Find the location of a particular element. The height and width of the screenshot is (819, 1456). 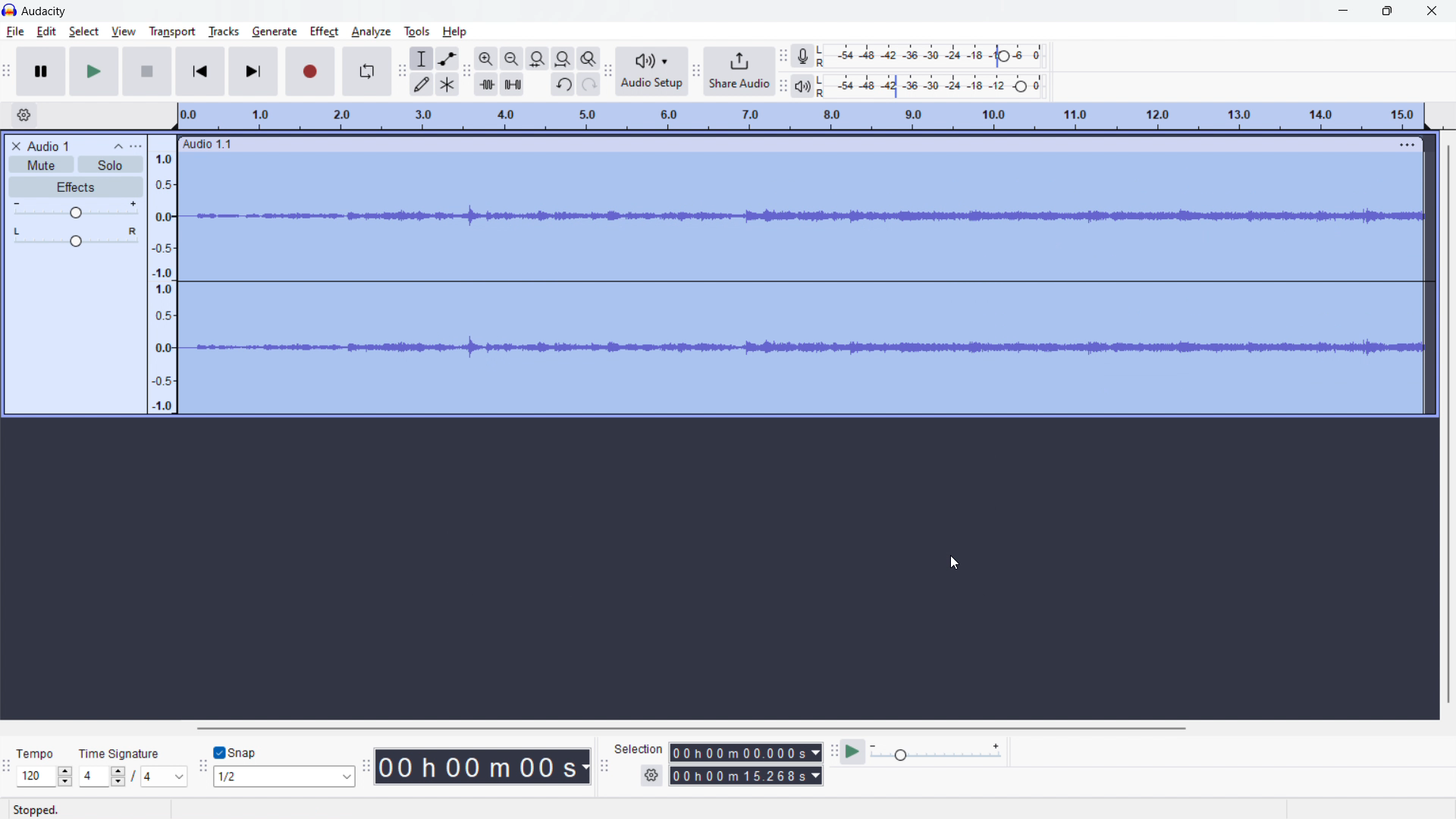

playback meter toolbar is located at coordinates (783, 87).